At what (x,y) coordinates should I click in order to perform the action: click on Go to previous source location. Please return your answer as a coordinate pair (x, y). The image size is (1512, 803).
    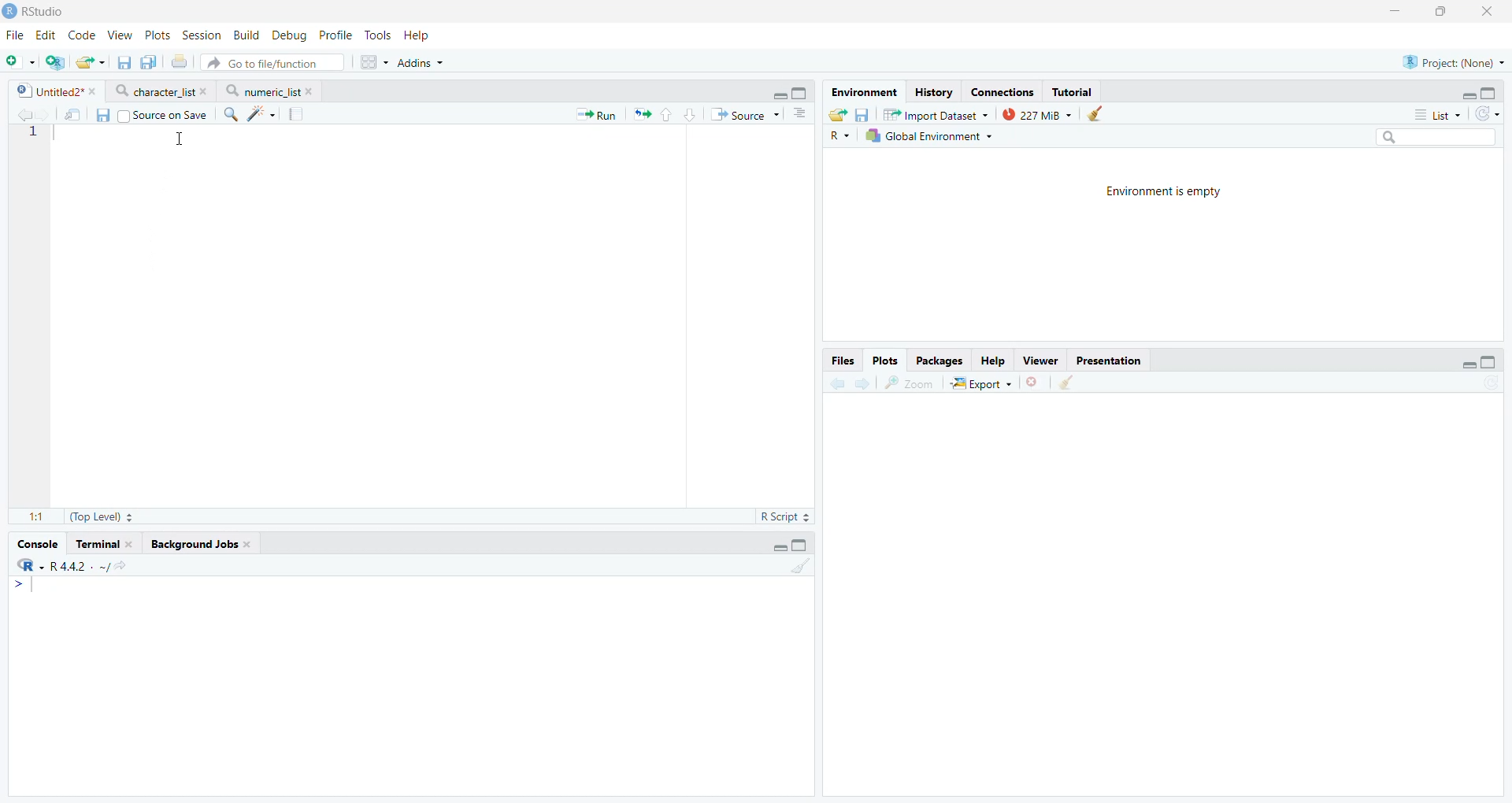
    Looking at the image, I should click on (23, 115).